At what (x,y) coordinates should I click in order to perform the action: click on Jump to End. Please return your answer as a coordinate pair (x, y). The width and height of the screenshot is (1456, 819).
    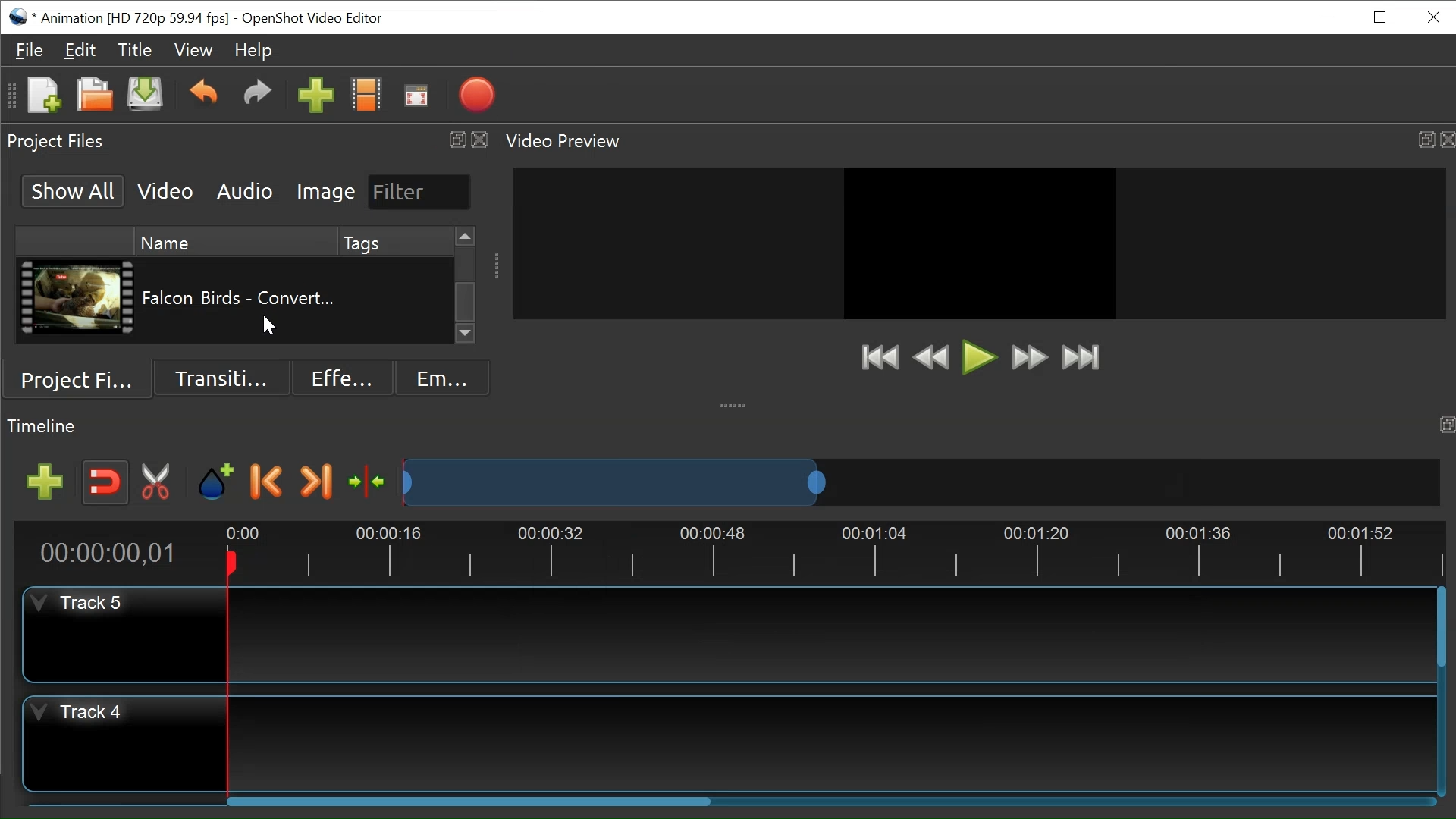
    Looking at the image, I should click on (1081, 358).